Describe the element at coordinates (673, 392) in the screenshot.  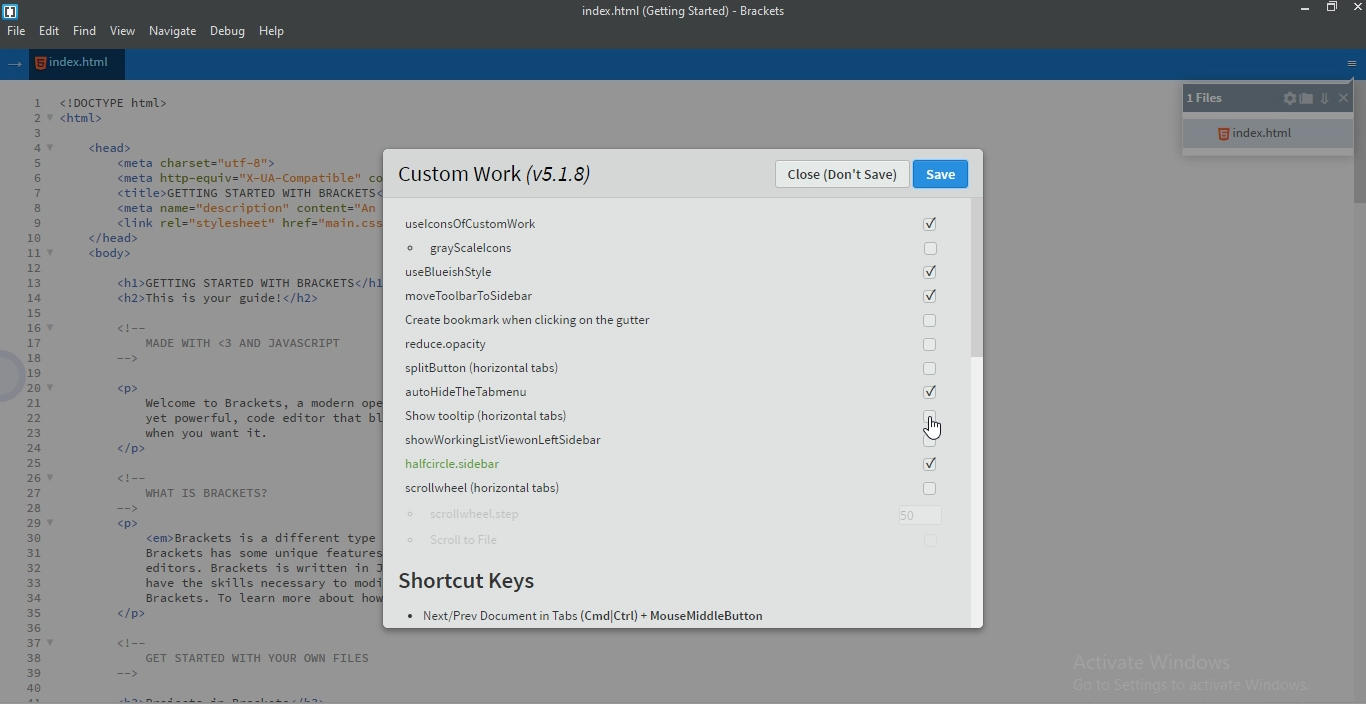
I see `autohideTheTabmenu` at that location.